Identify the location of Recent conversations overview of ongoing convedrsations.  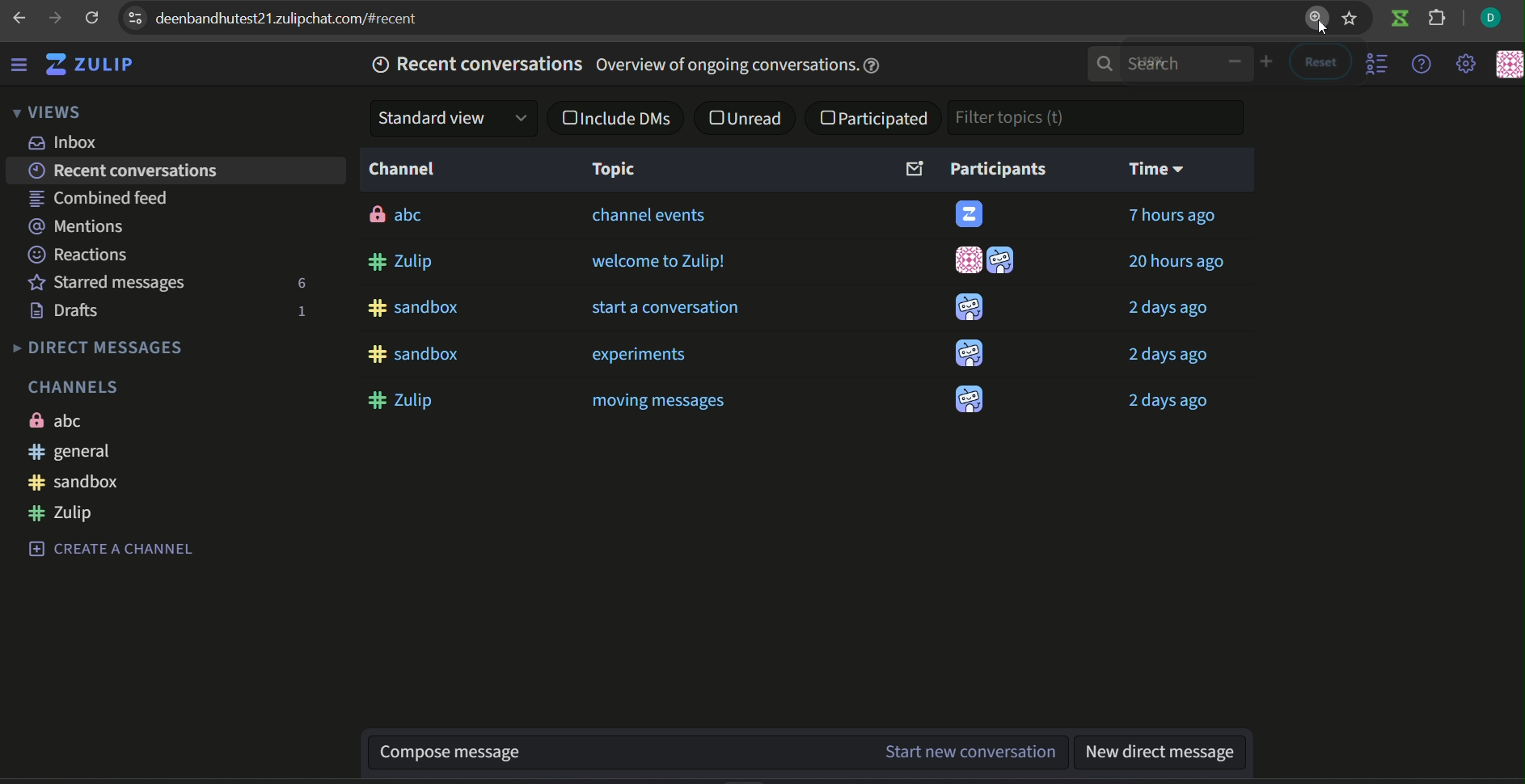
(630, 66).